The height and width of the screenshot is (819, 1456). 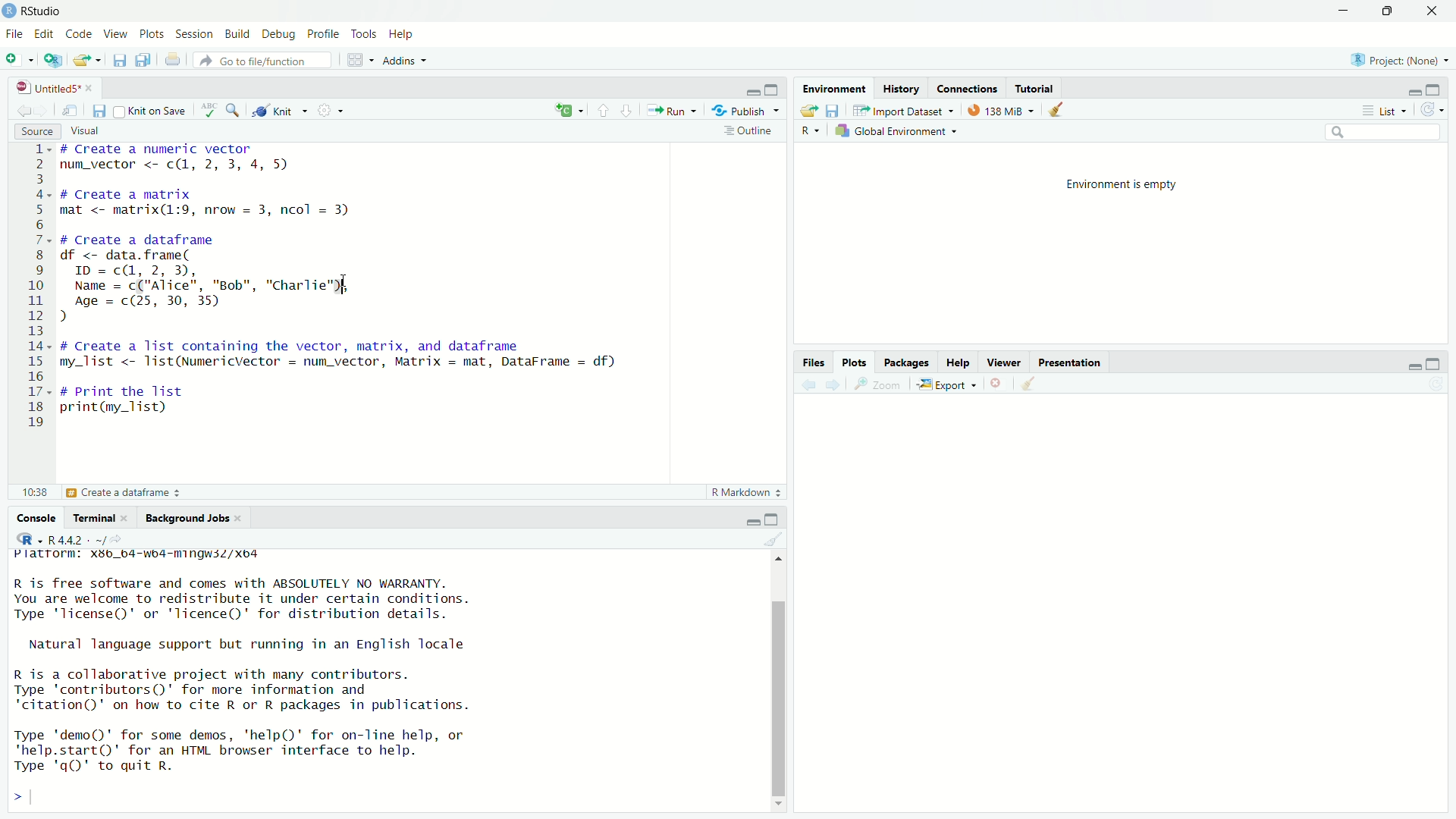 I want to click on List ~, so click(x=1386, y=110).